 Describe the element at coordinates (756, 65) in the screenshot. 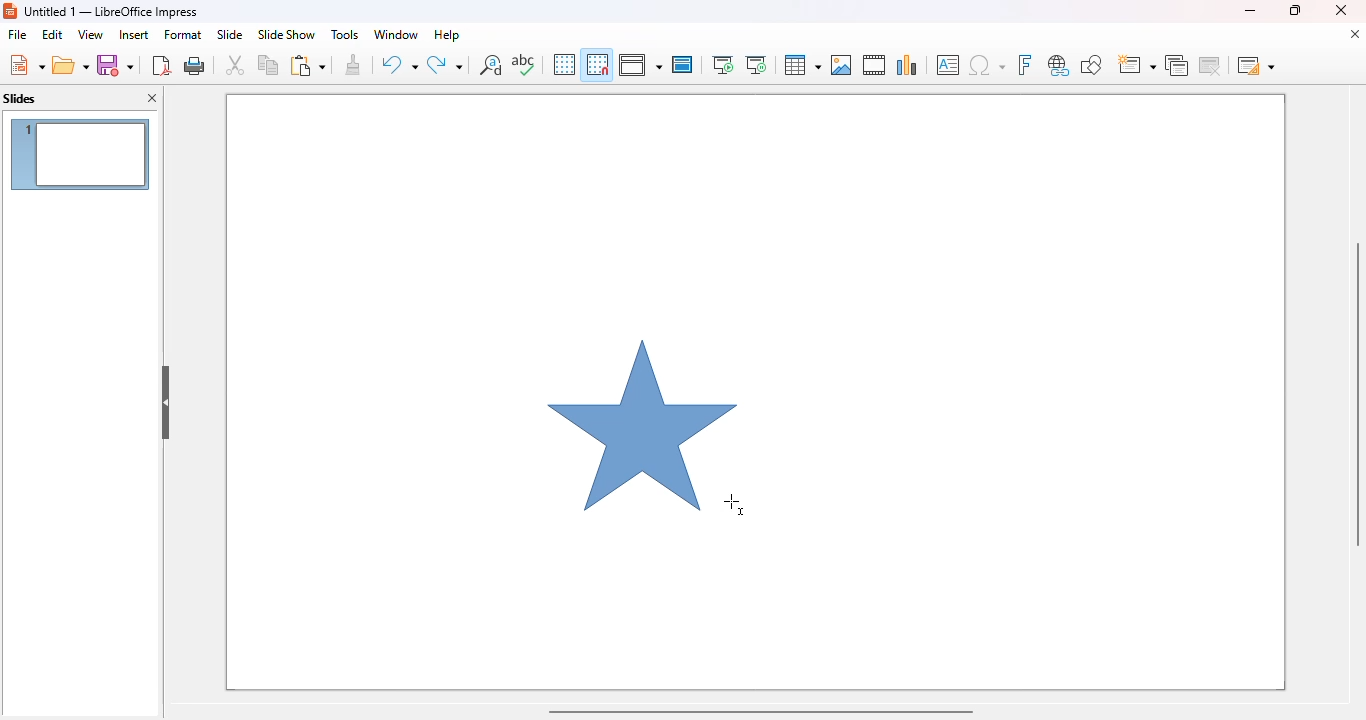

I see `start from current slide` at that location.